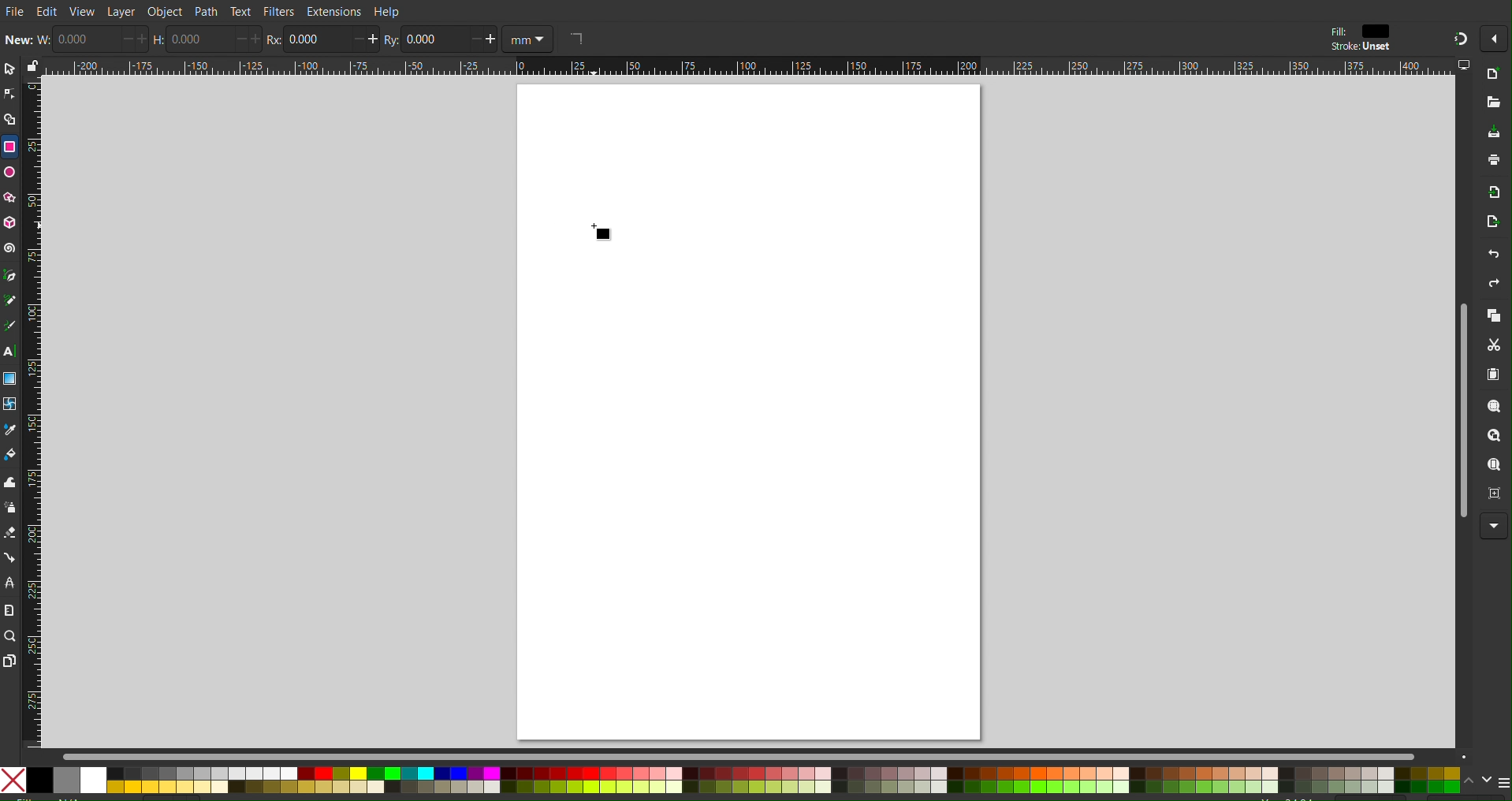  Describe the element at coordinates (9, 173) in the screenshot. I see `Ellipse` at that location.